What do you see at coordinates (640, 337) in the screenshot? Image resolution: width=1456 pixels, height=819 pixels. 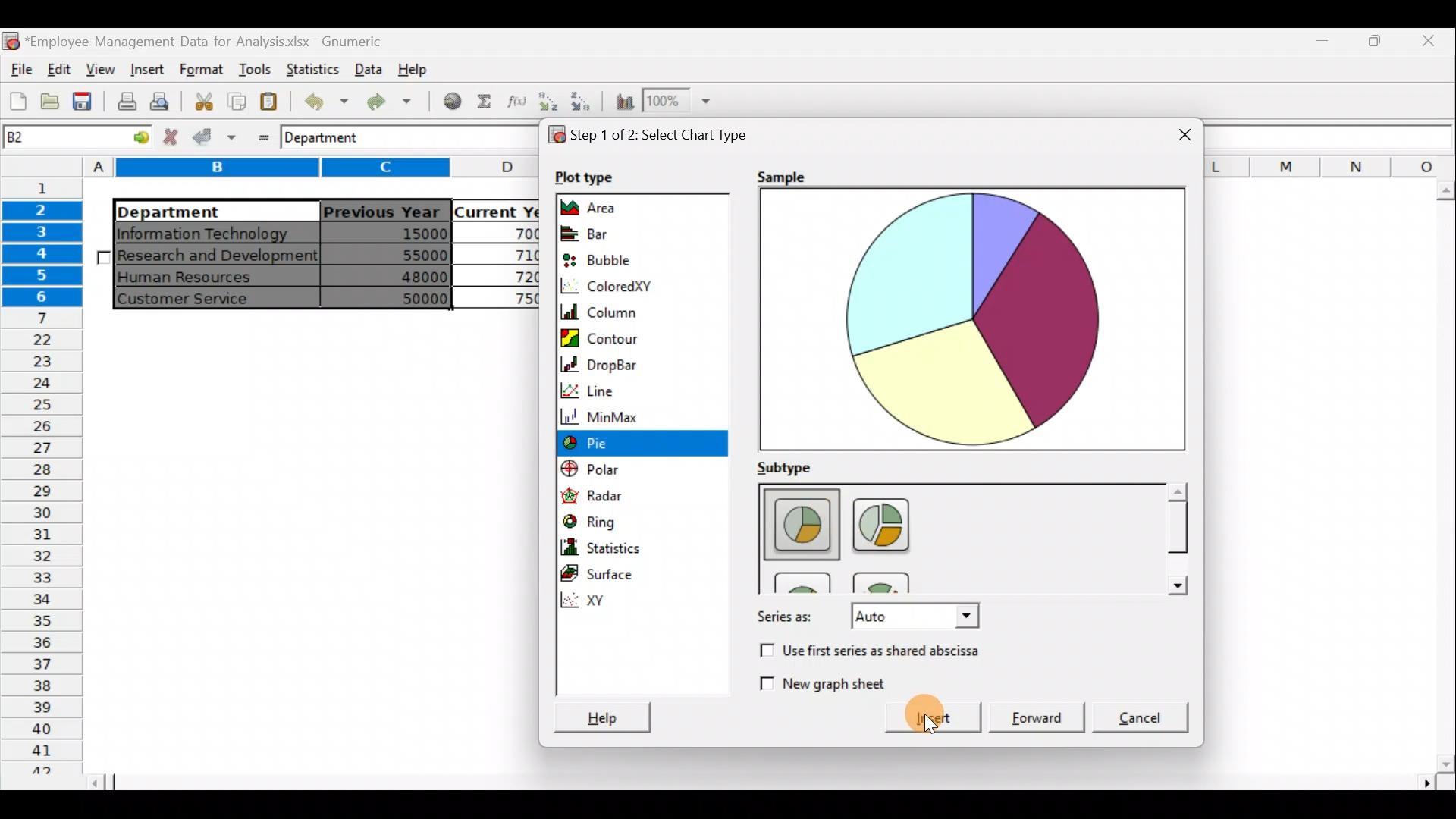 I see `Contour` at bounding box center [640, 337].